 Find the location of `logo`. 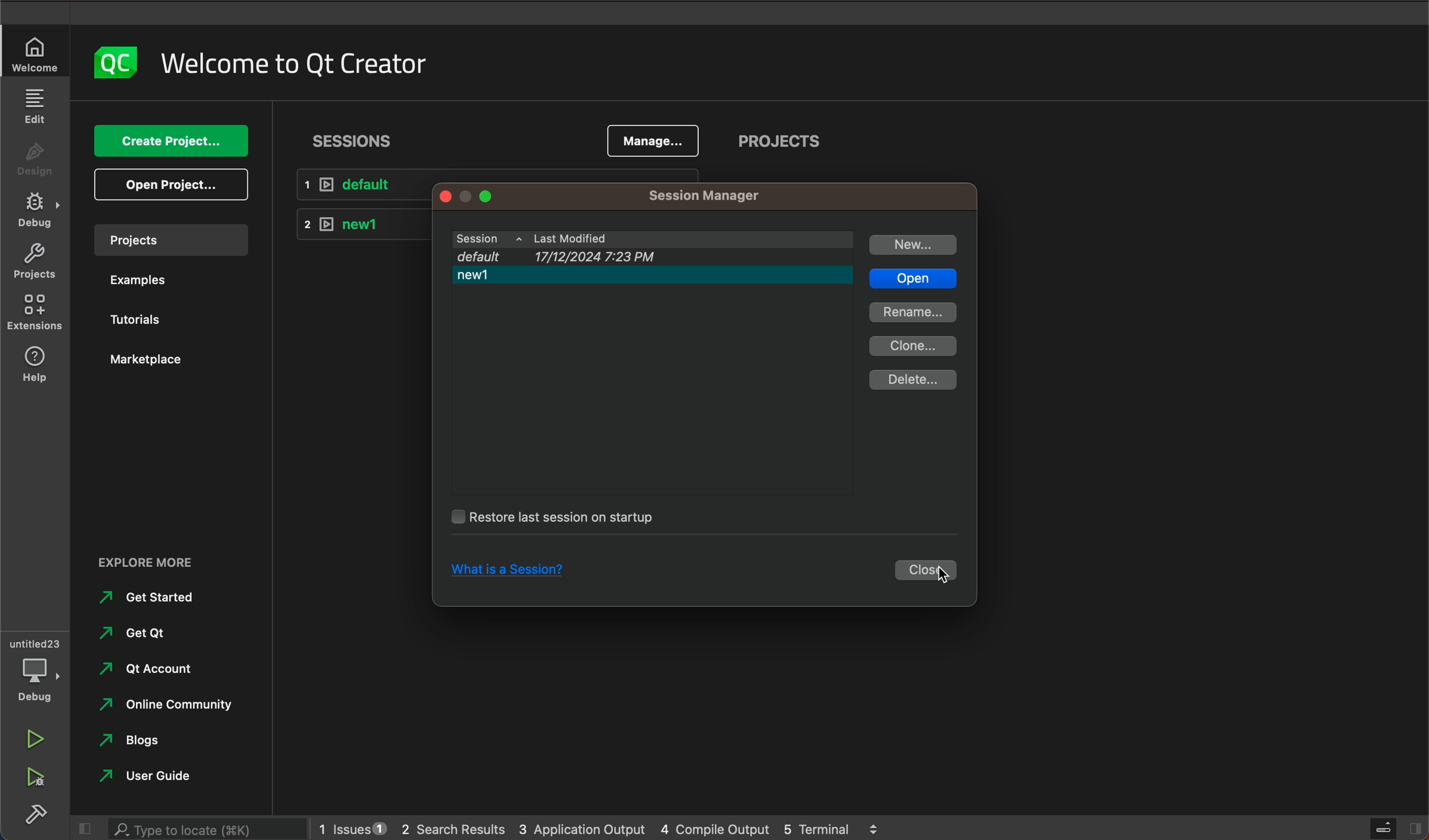

logo is located at coordinates (113, 62).